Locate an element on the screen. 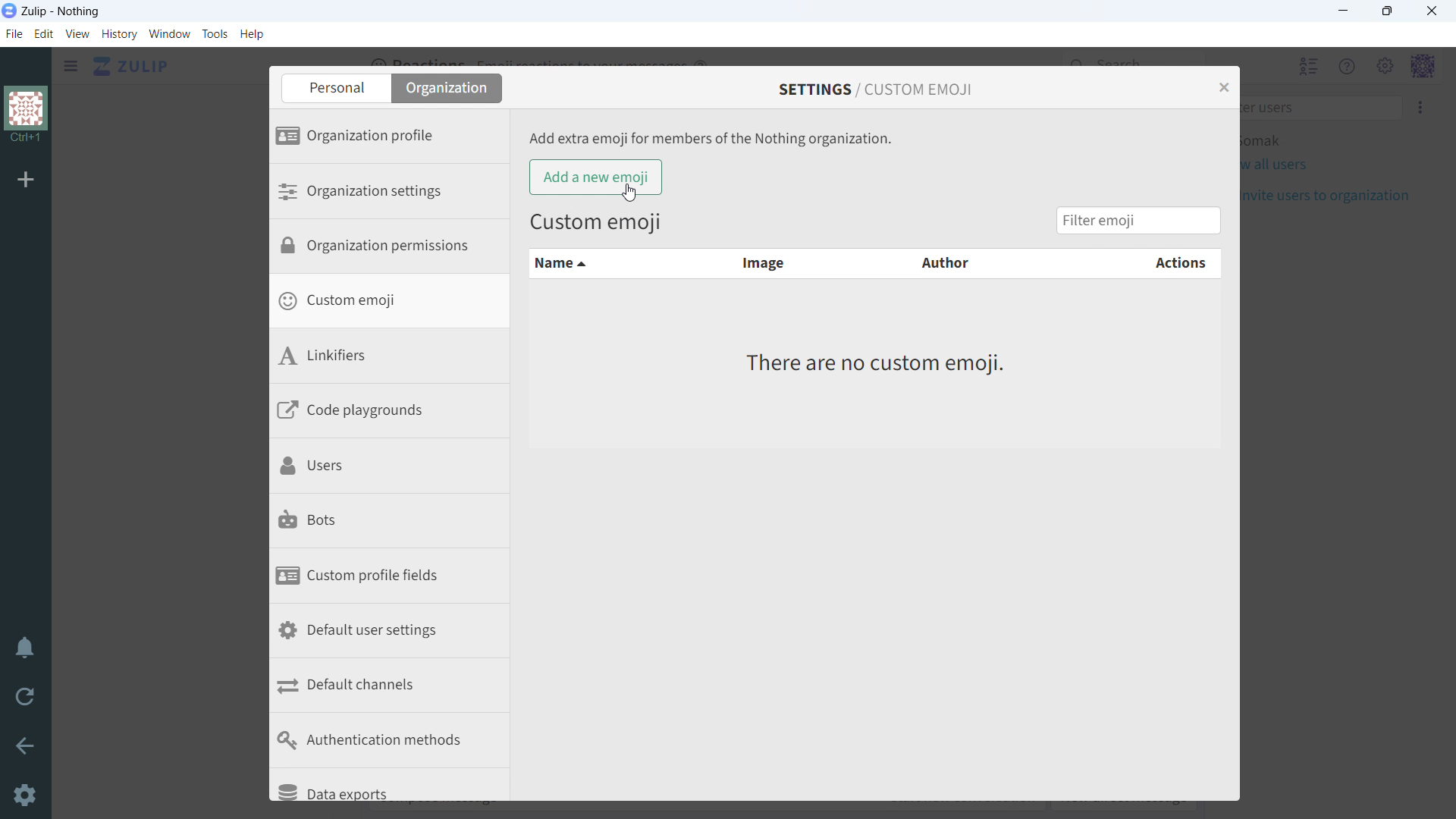  custom emoji is located at coordinates (387, 303).